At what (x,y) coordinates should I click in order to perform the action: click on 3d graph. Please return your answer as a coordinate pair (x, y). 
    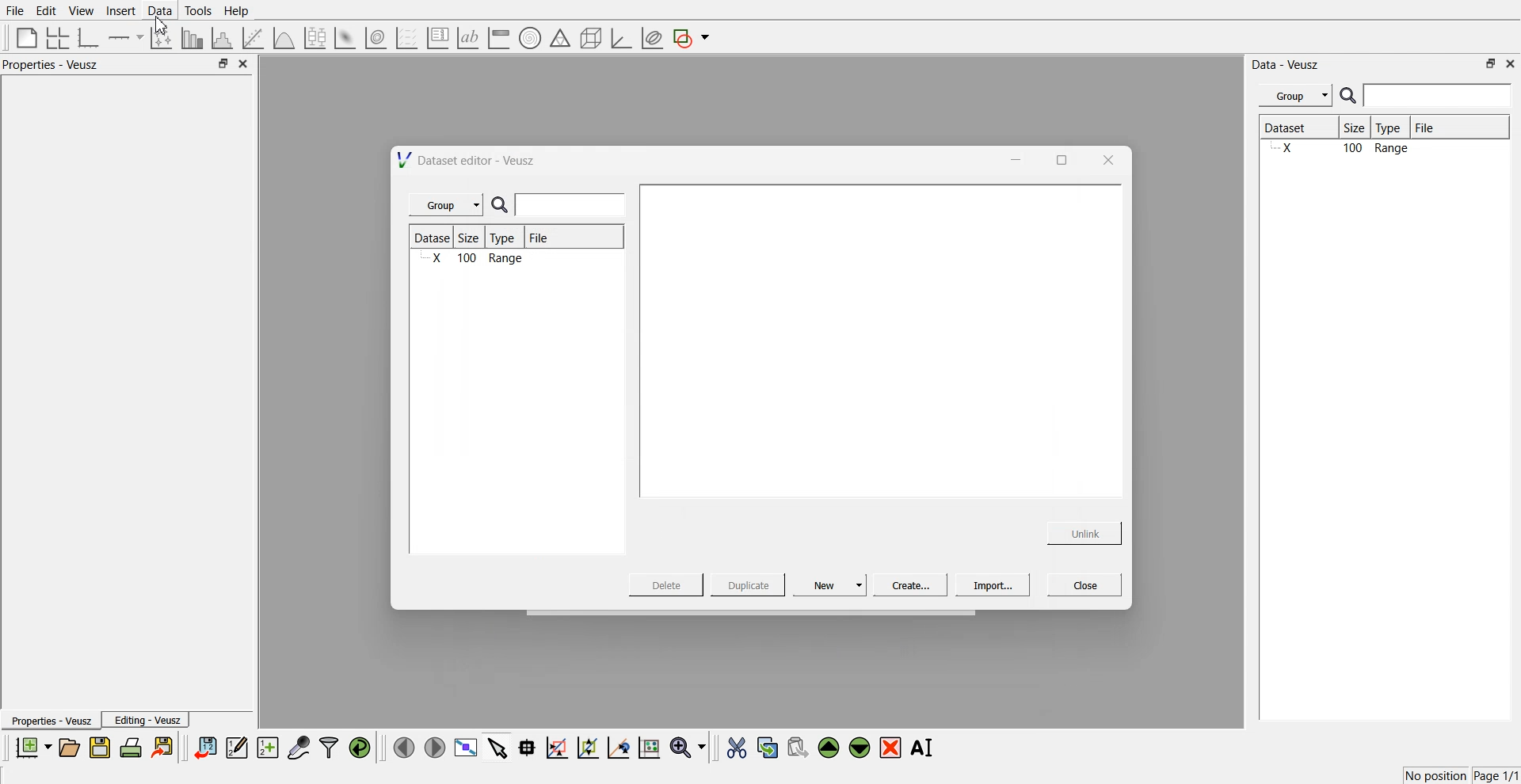
    Looking at the image, I should click on (620, 39).